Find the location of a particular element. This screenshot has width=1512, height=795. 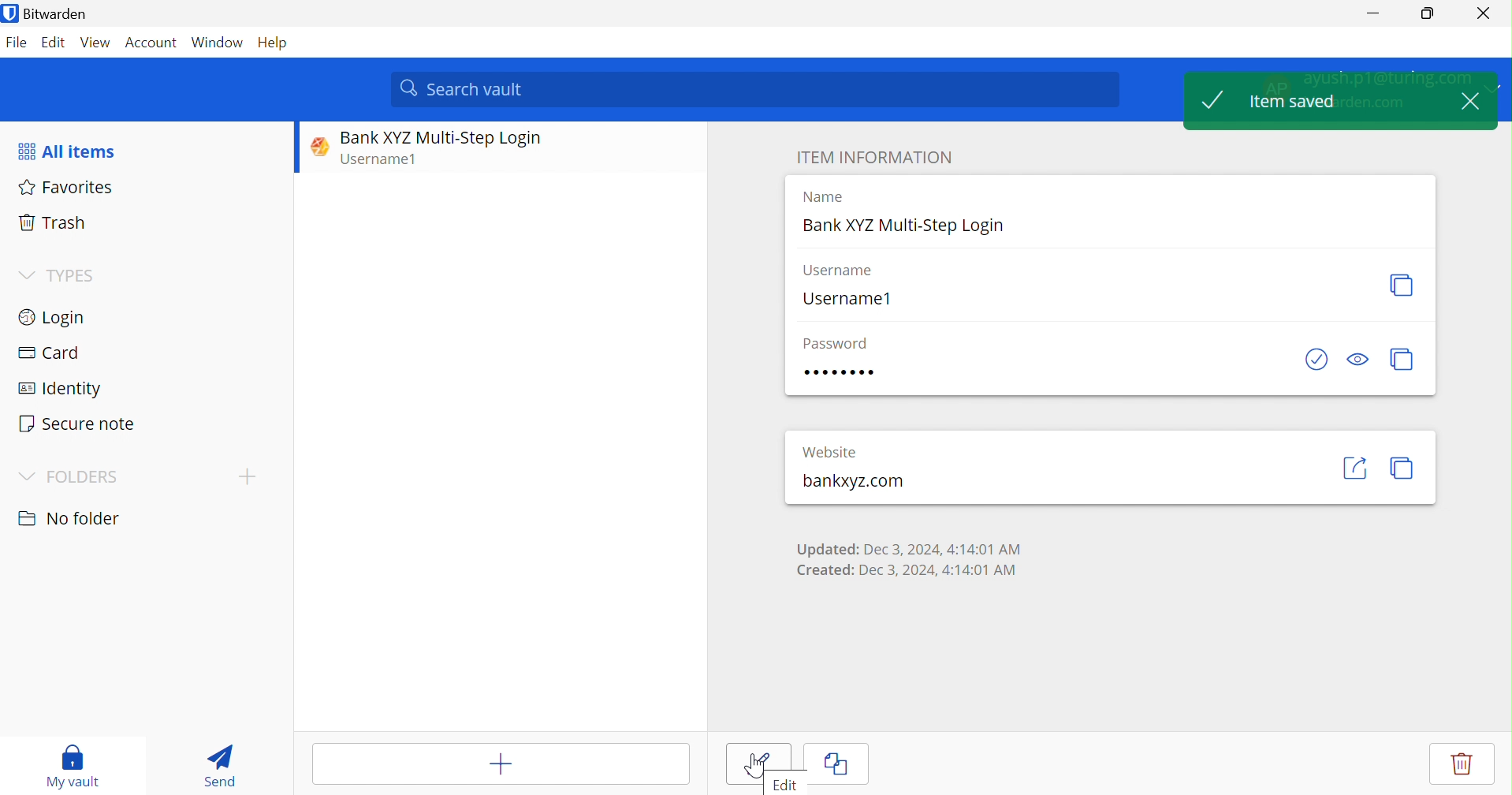

Help is located at coordinates (275, 44).